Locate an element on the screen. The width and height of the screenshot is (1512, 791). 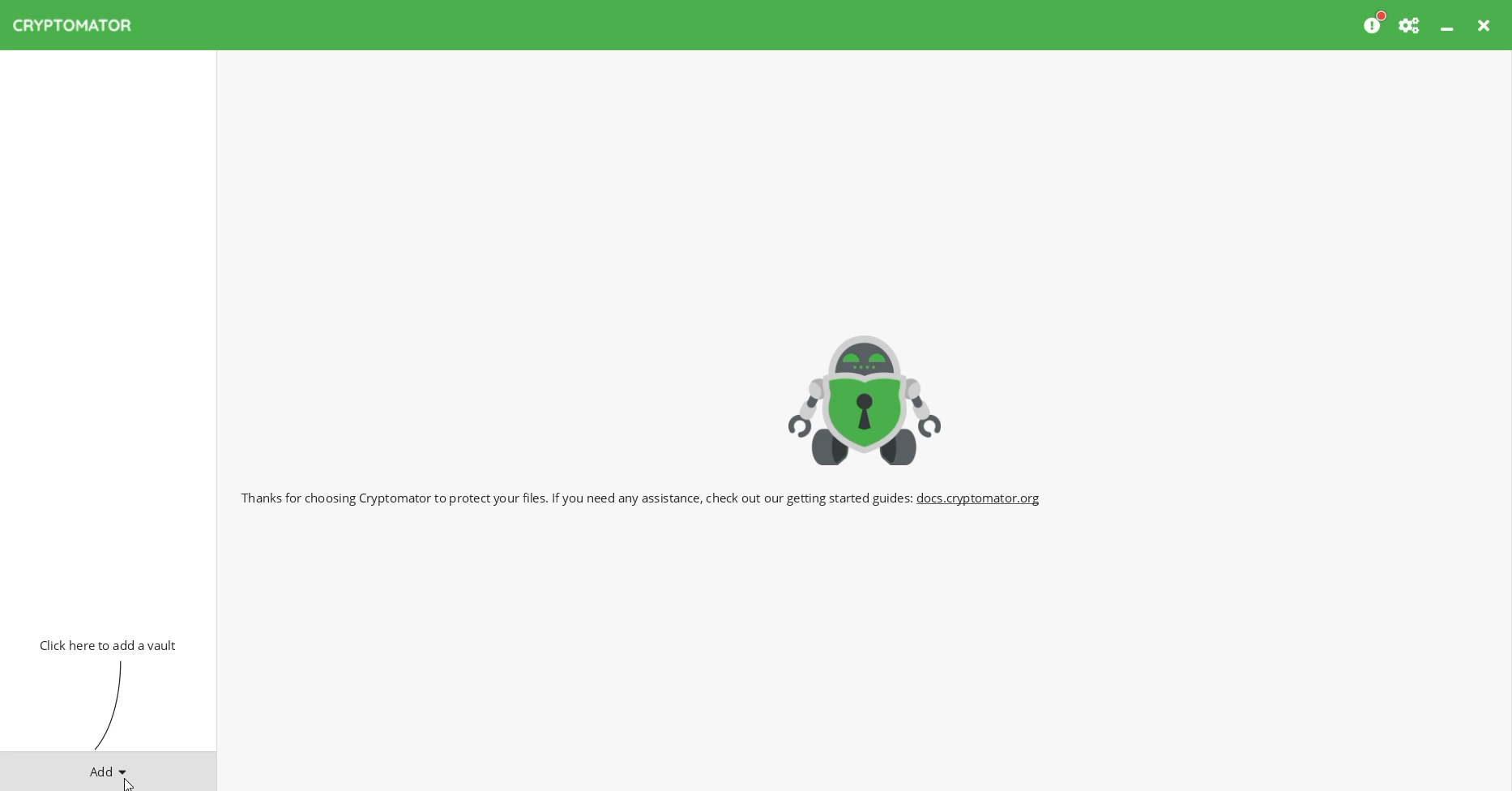
Thanks for choosing Cryptomator to protect your files. If you need assistance, check out our getting started guides. docs.cryptomator.org is located at coordinates (643, 496).